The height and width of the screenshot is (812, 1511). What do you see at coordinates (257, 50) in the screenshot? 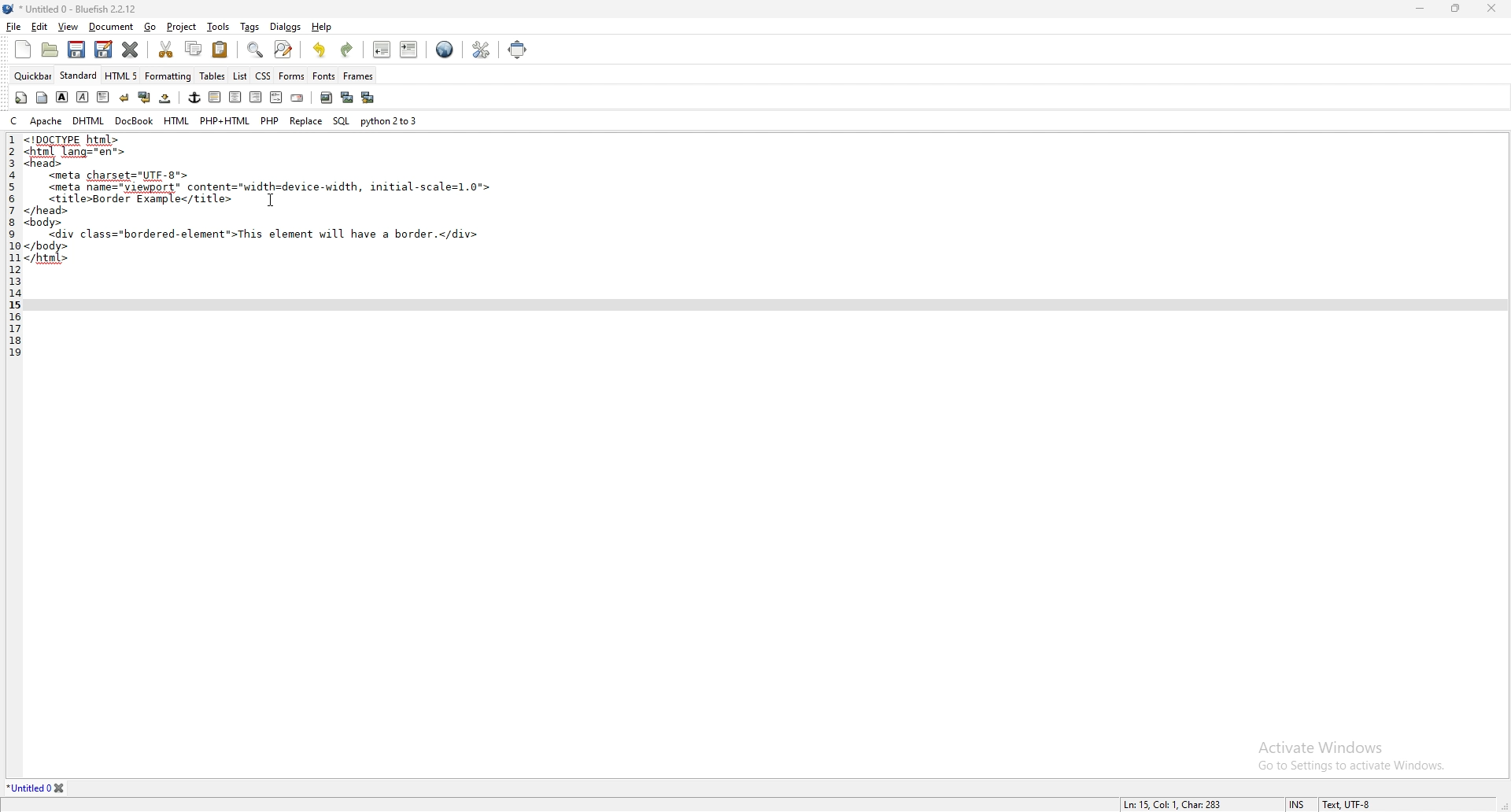
I see `show find bar` at bounding box center [257, 50].